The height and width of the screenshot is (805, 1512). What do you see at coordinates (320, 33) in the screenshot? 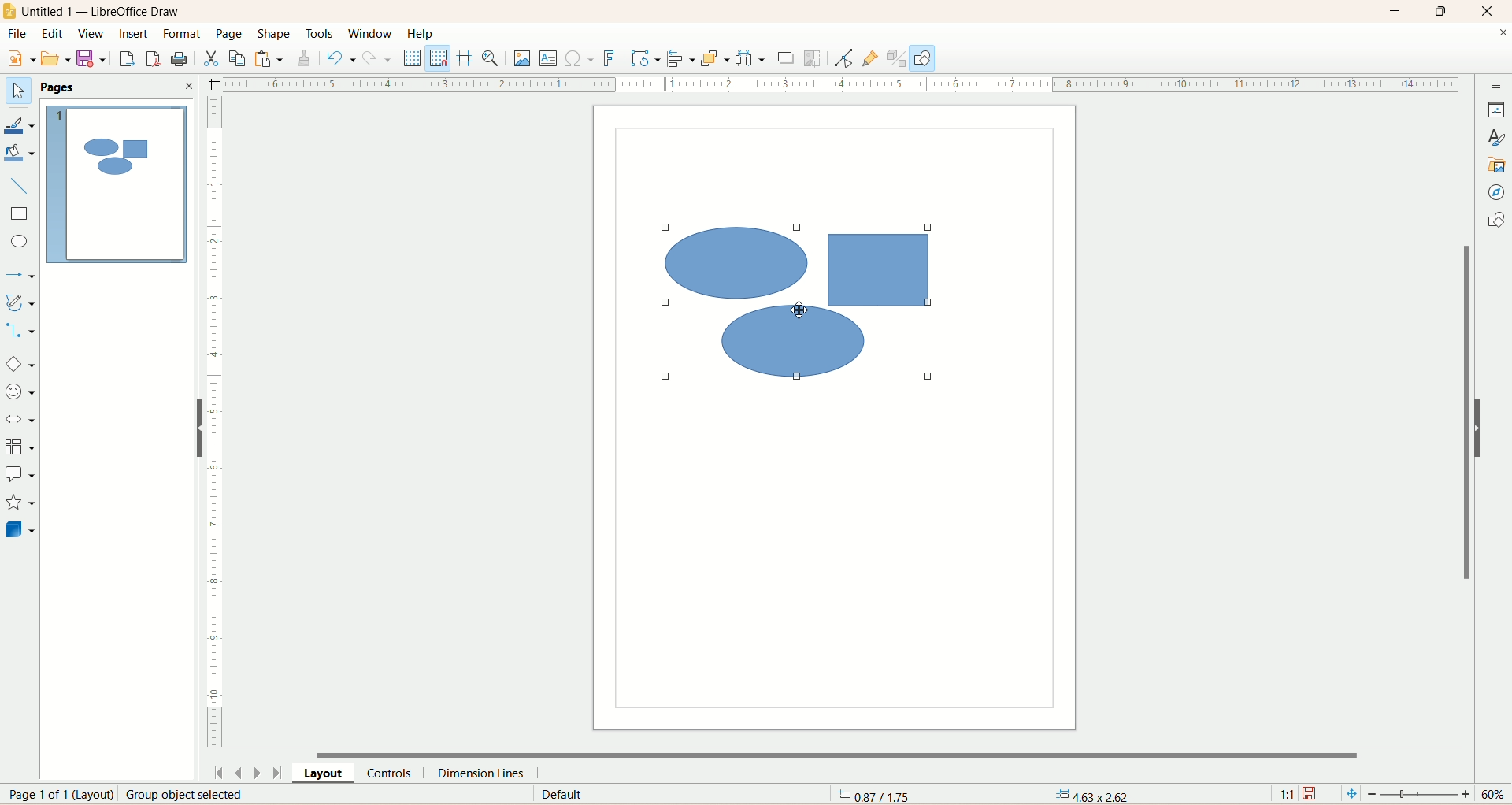
I see `tools` at bounding box center [320, 33].